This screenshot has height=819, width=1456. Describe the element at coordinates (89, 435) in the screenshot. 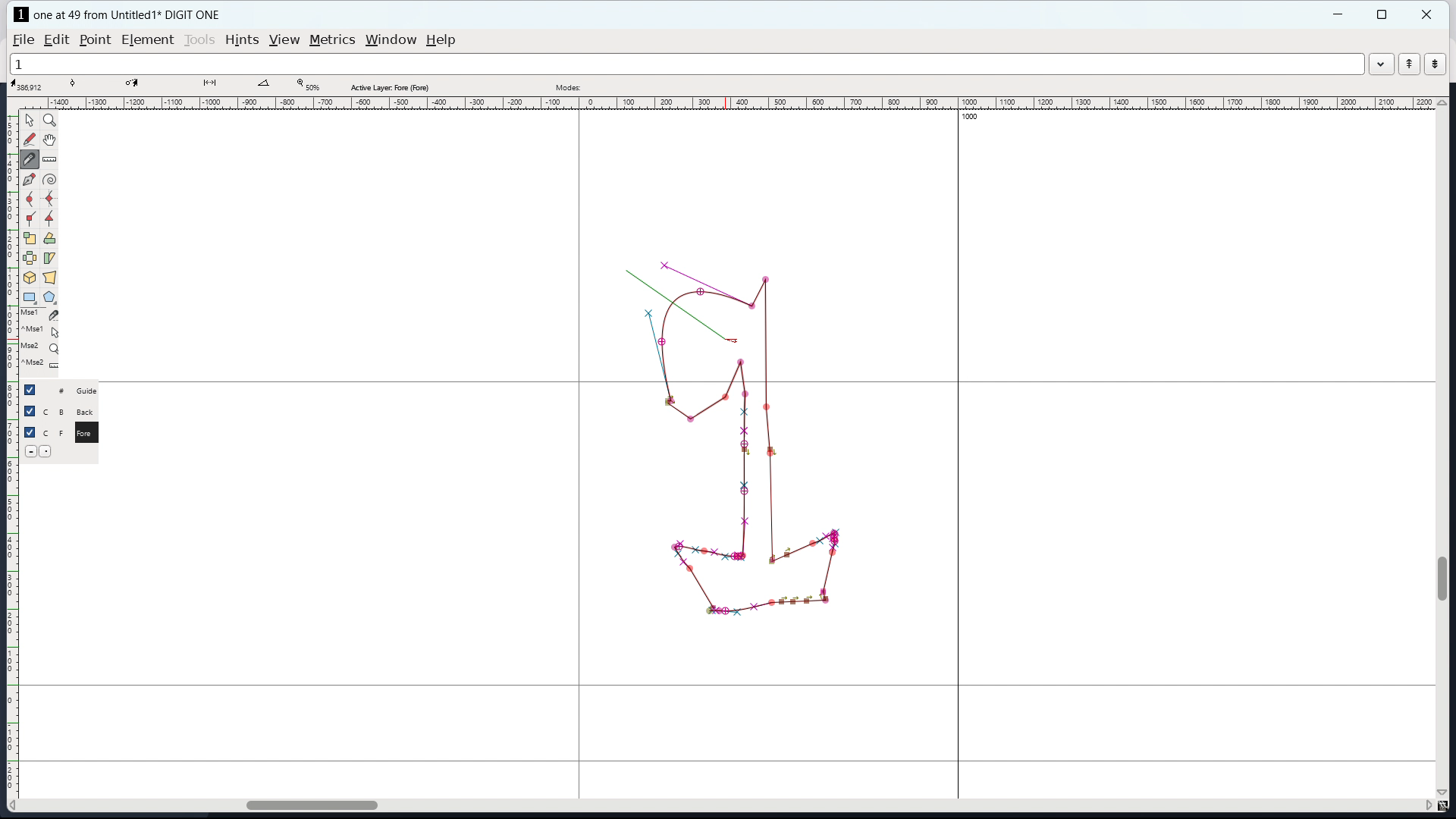

I see `fore` at that location.